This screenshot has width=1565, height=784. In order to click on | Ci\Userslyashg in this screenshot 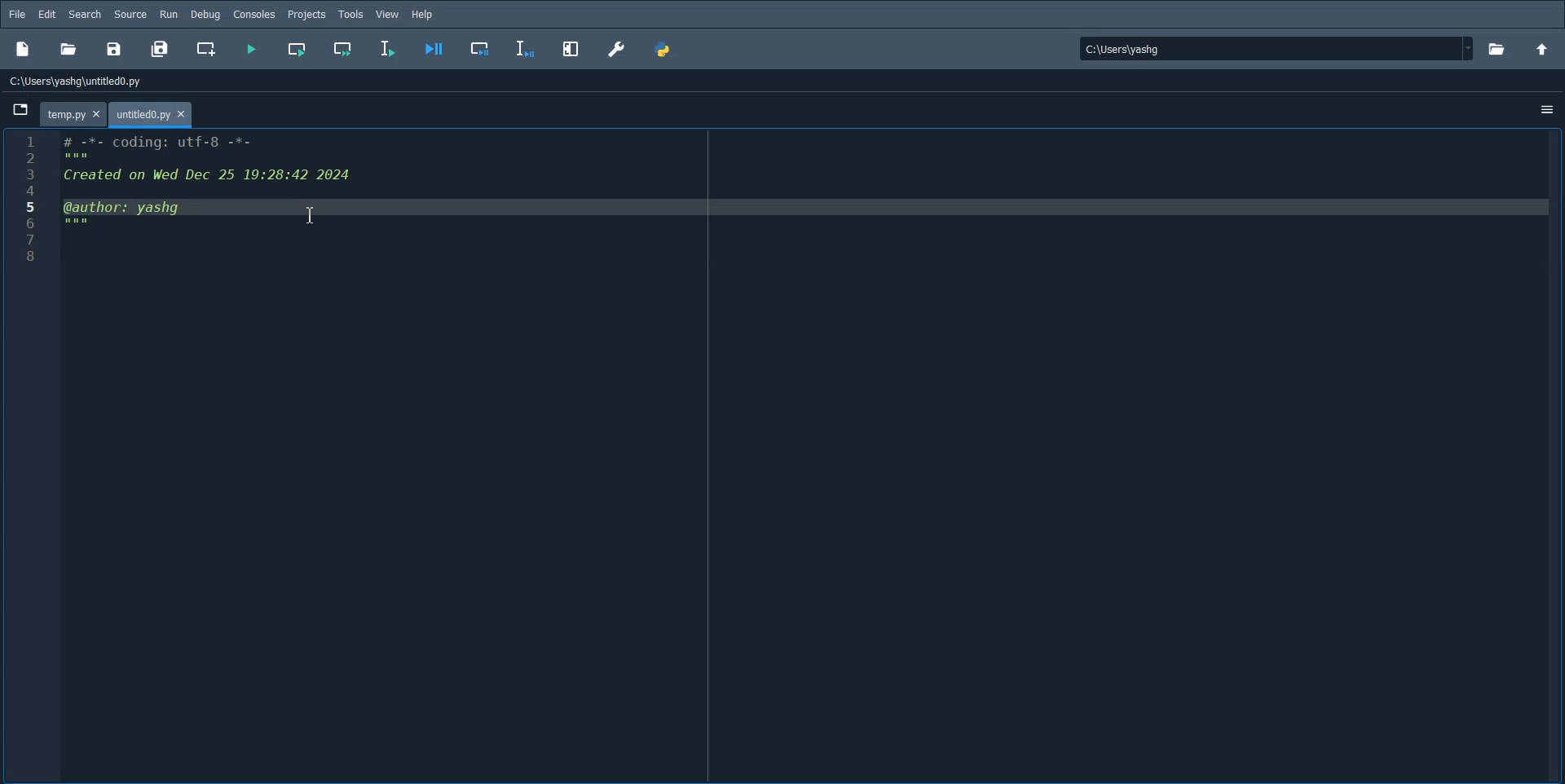, I will do `click(1133, 51)`.